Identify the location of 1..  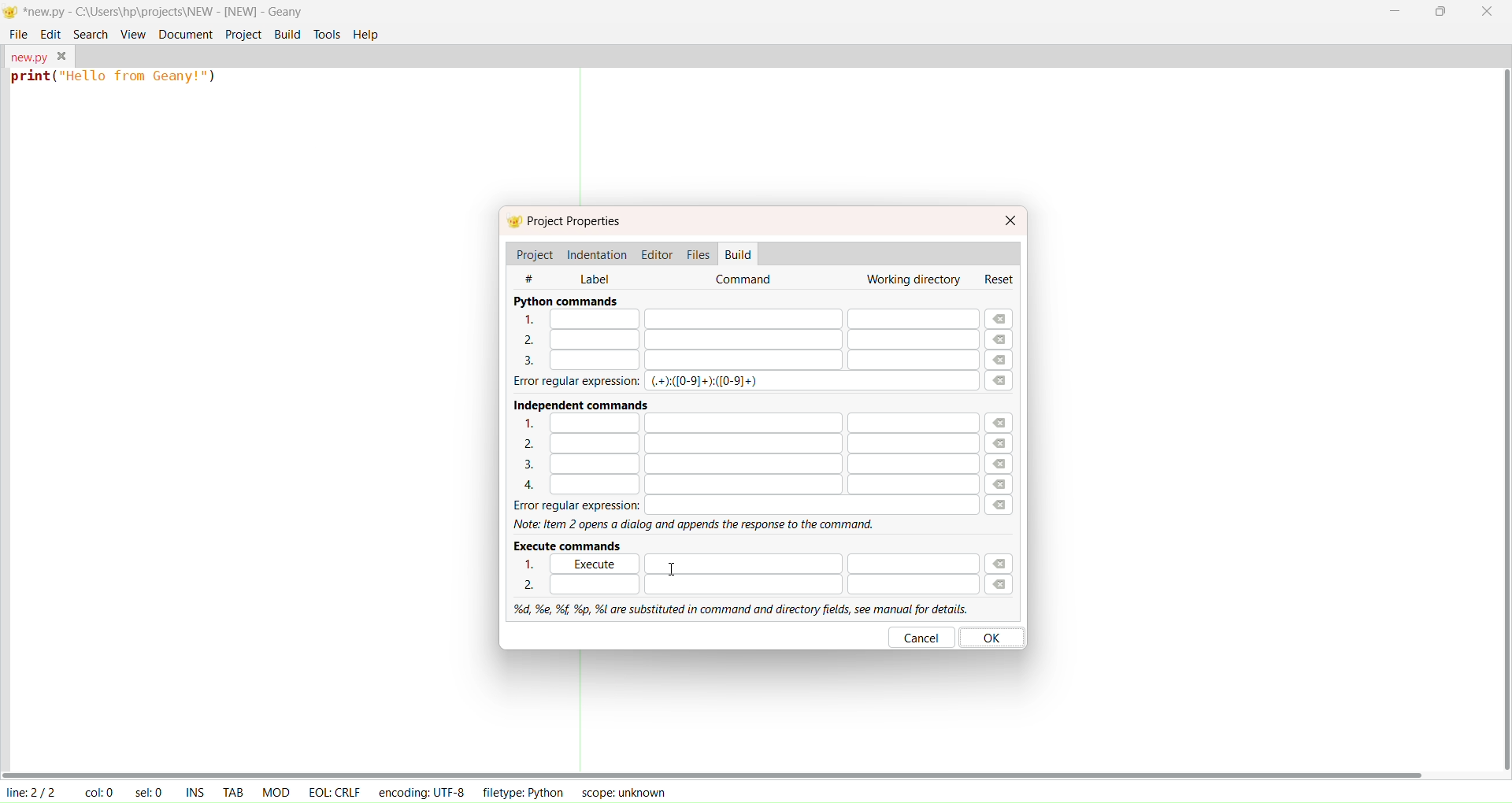
(744, 320).